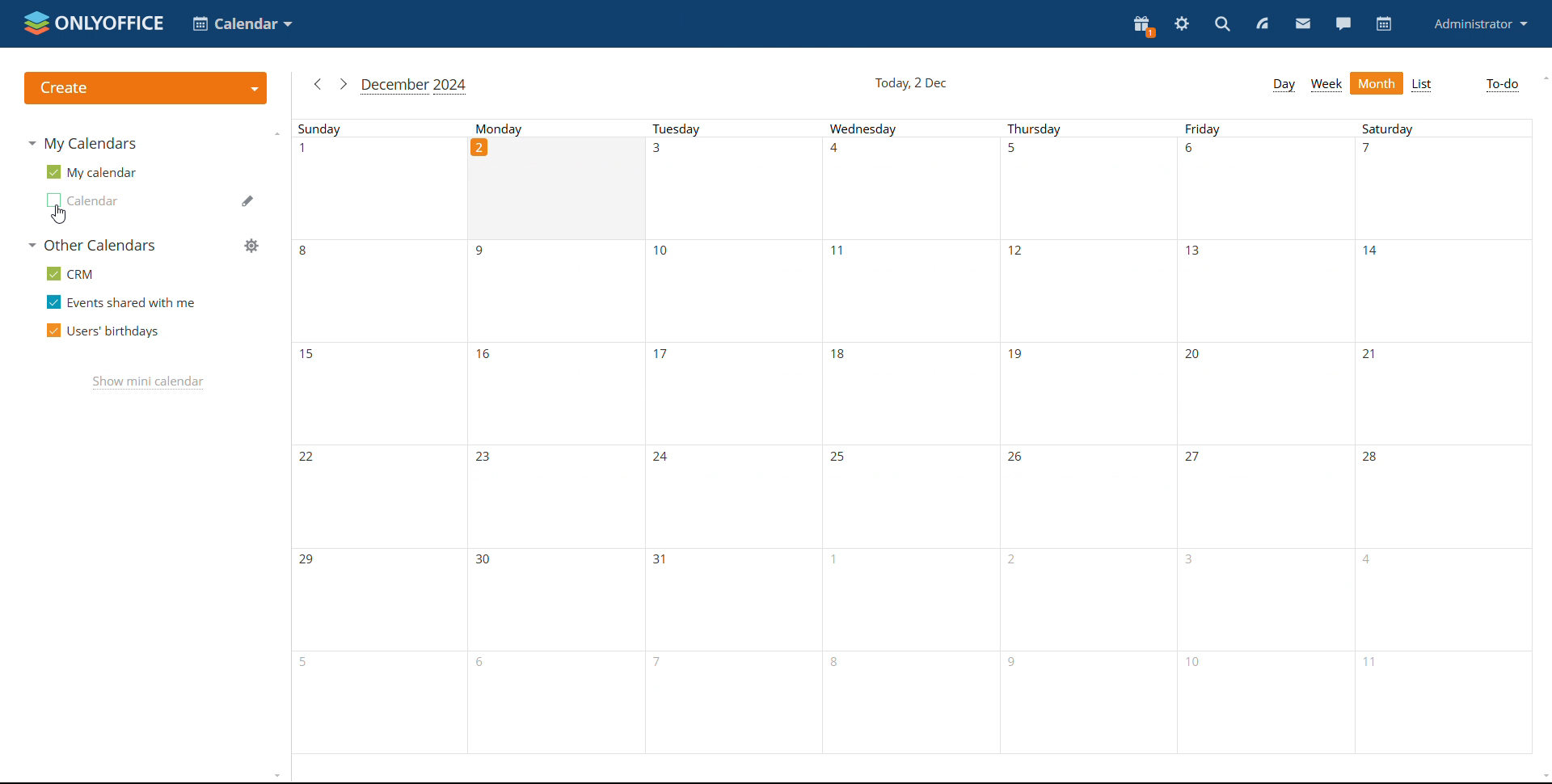 The width and height of the screenshot is (1552, 784). I want to click on 26, so click(1090, 499).